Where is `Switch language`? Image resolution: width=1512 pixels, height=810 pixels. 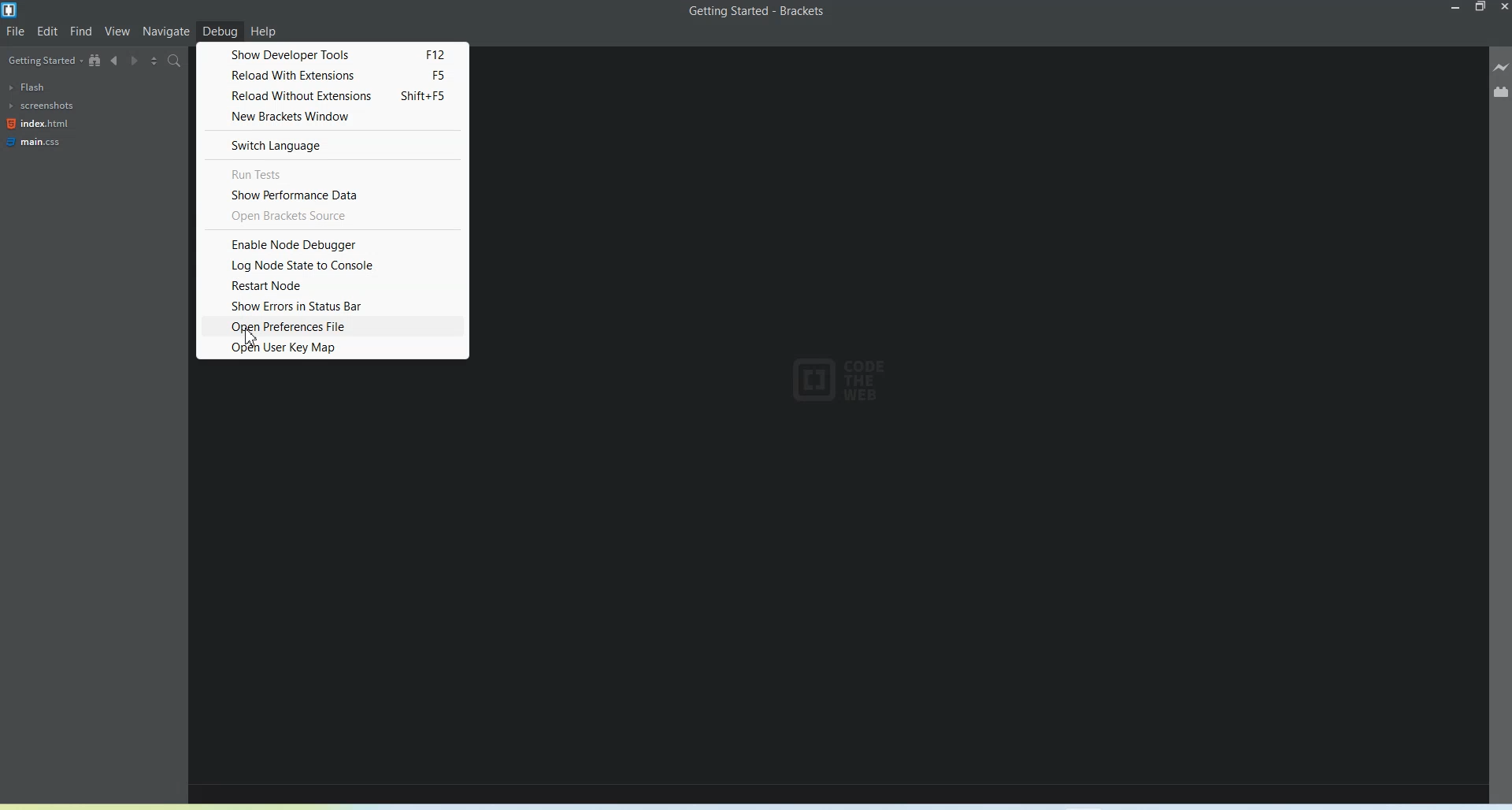
Switch language is located at coordinates (332, 144).